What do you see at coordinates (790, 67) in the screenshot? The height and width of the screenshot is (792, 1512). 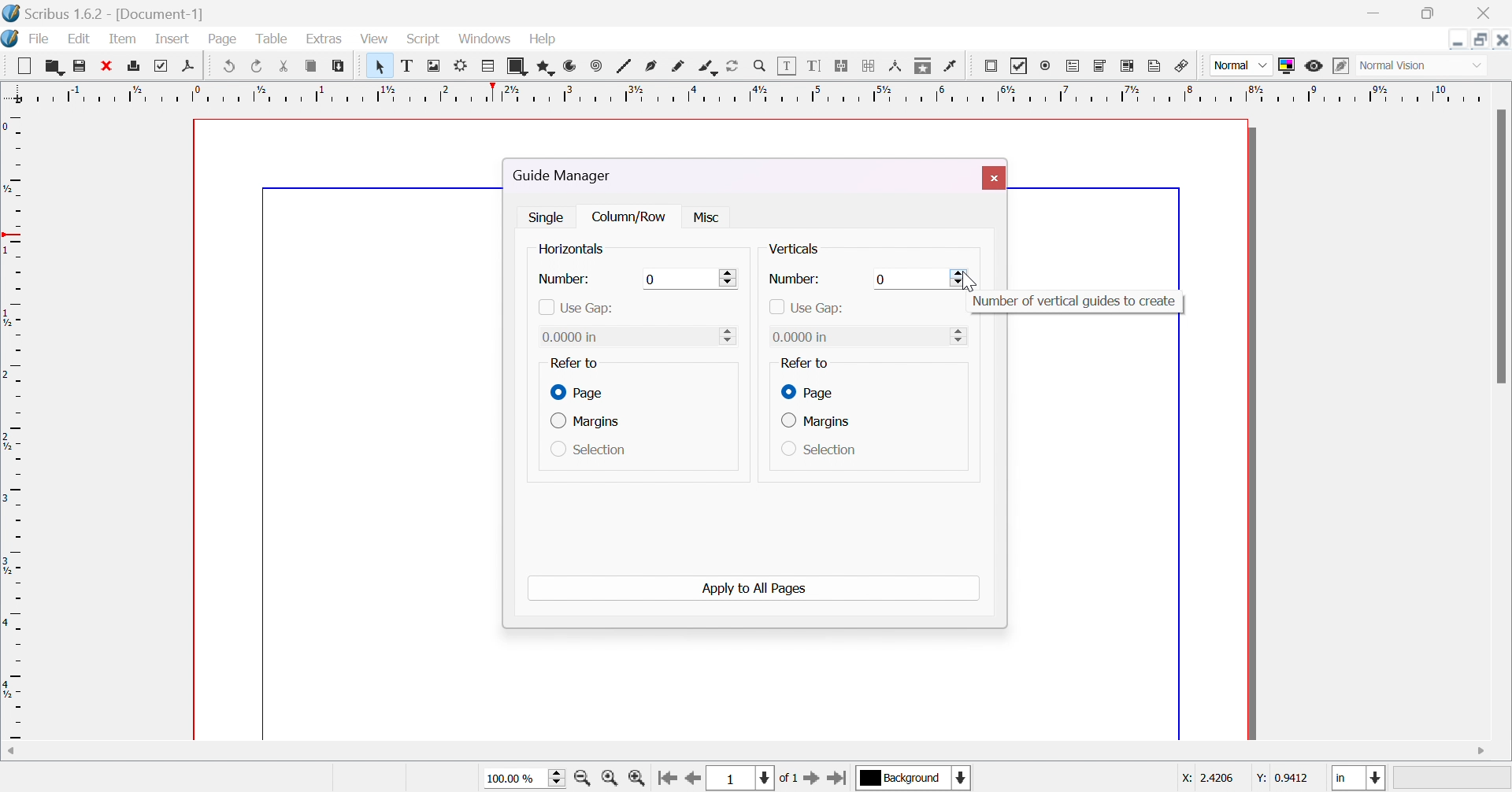 I see `edit contents of frame` at bounding box center [790, 67].